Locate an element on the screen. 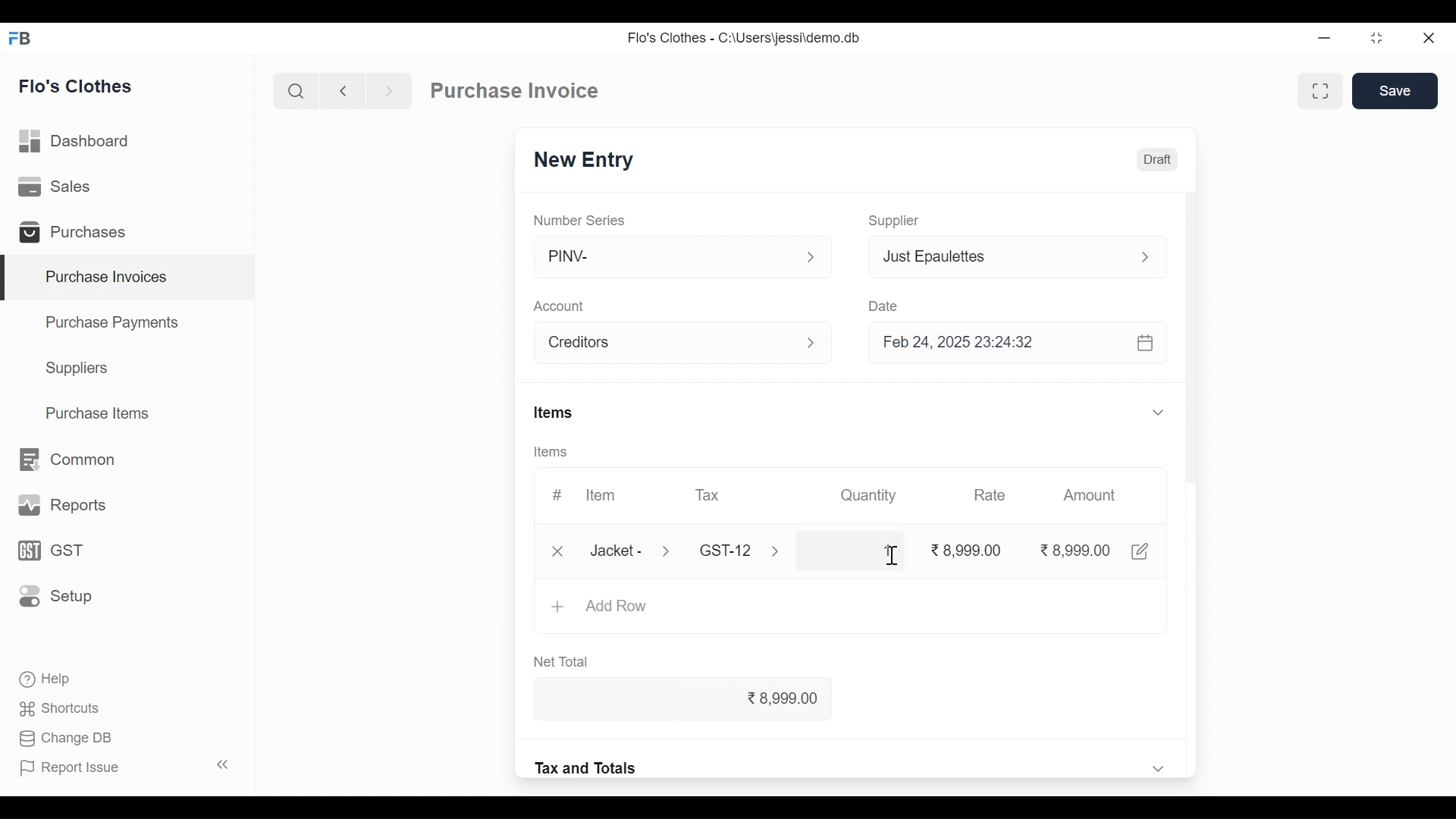  New Entry is located at coordinates (585, 160).